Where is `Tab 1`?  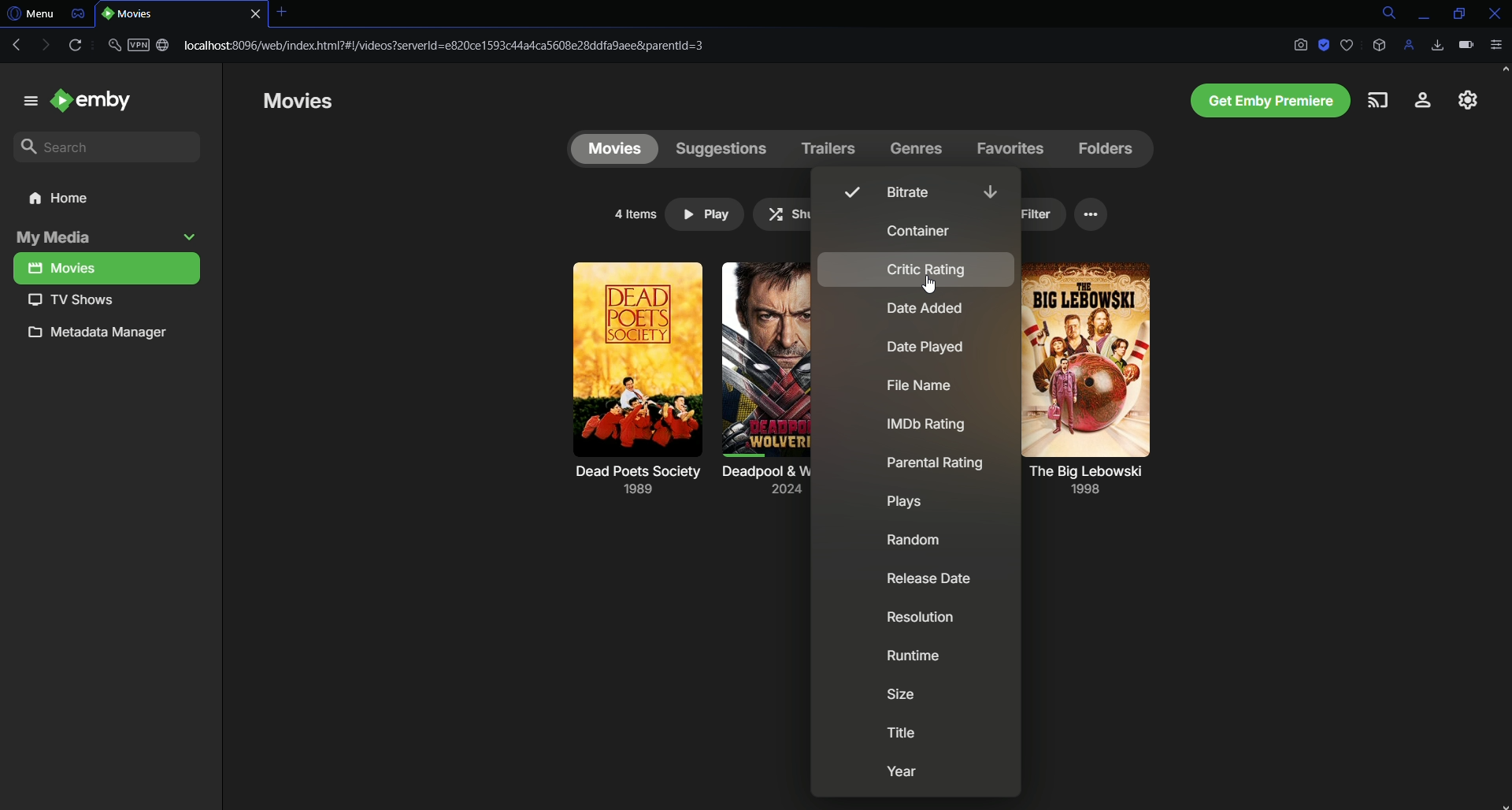
Tab 1 is located at coordinates (182, 14).